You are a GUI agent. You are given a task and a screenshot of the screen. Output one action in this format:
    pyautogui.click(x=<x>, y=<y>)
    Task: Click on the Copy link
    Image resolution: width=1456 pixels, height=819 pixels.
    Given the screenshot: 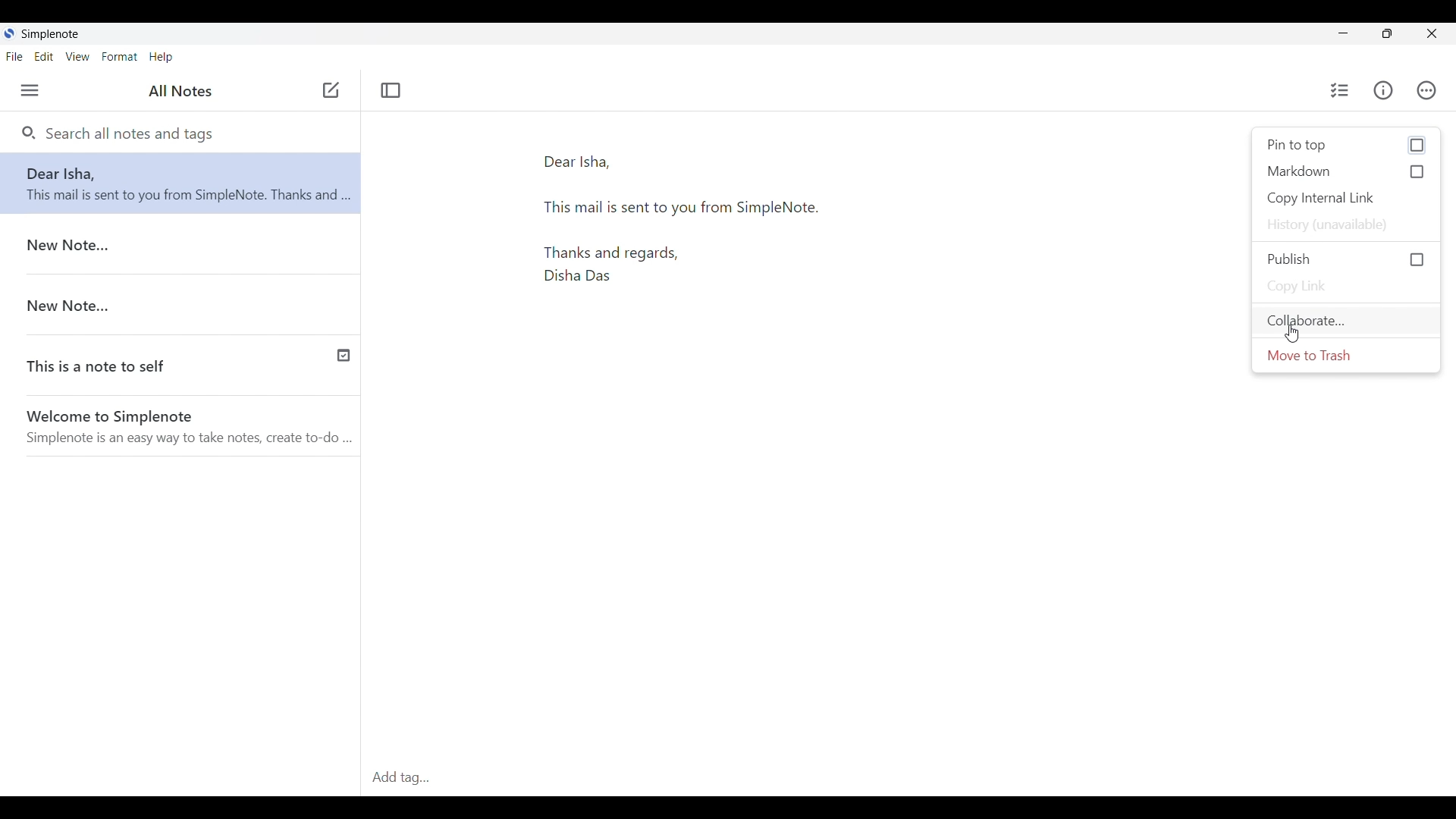 What is the action you would take?
    pyautogui.click(x=1345, y=287)
    